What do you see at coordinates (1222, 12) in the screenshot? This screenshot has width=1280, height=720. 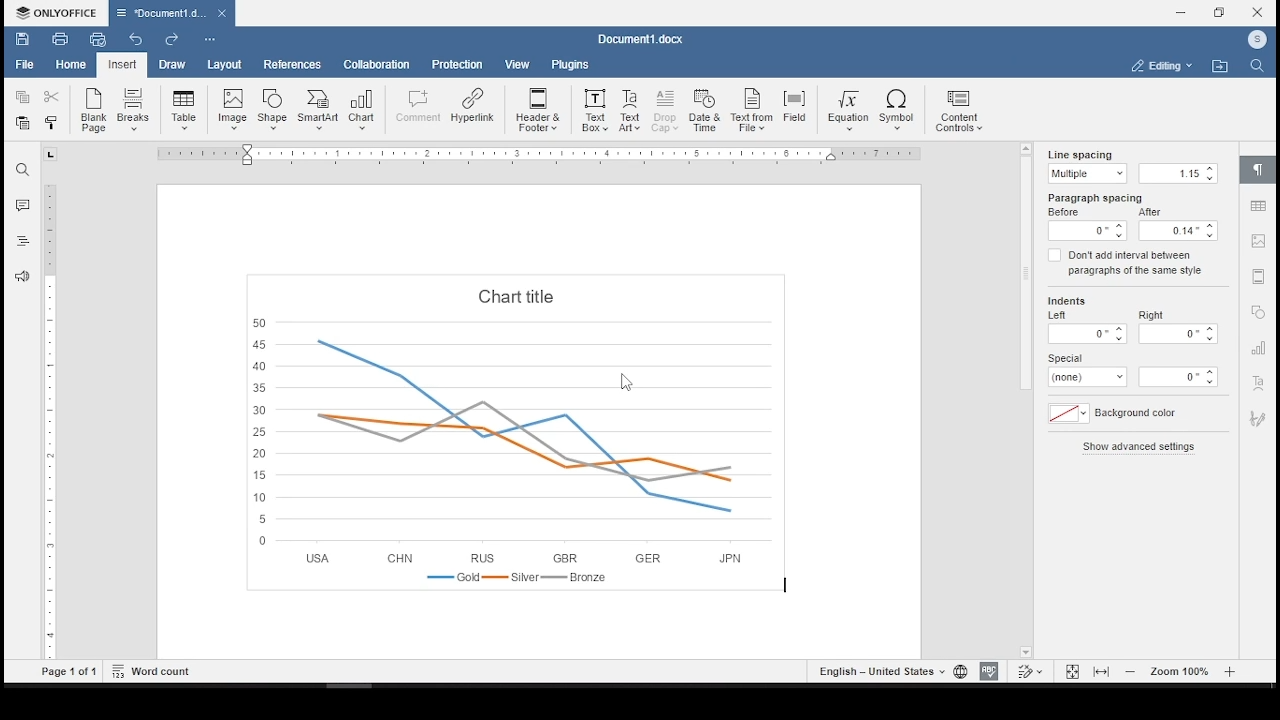 I see `restore` at bounding box center [1222, 12].